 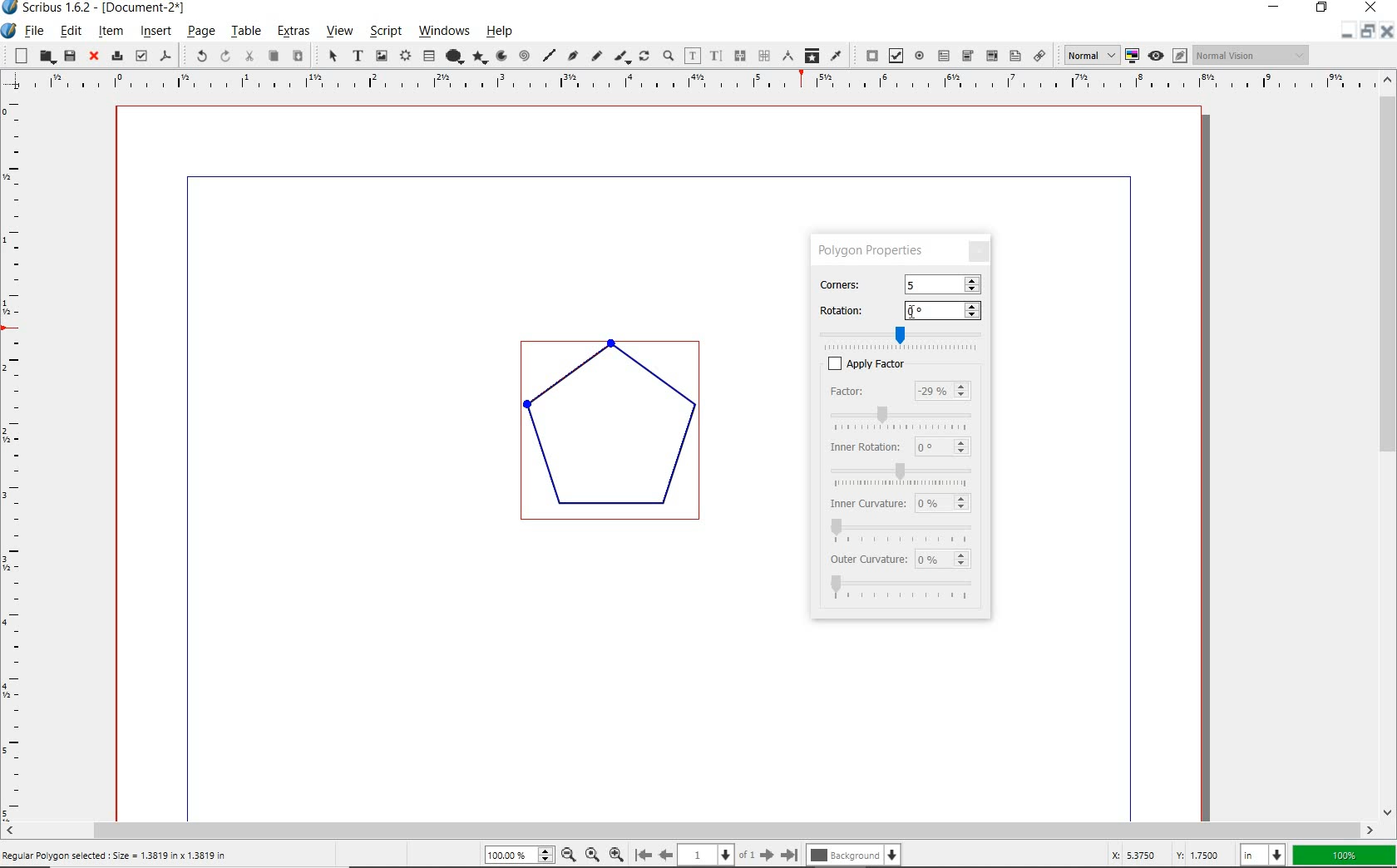 What do you see at coordinates (967, 56) in the screenshot?
I see `pdf combo box` at bounding box center [967, 56].